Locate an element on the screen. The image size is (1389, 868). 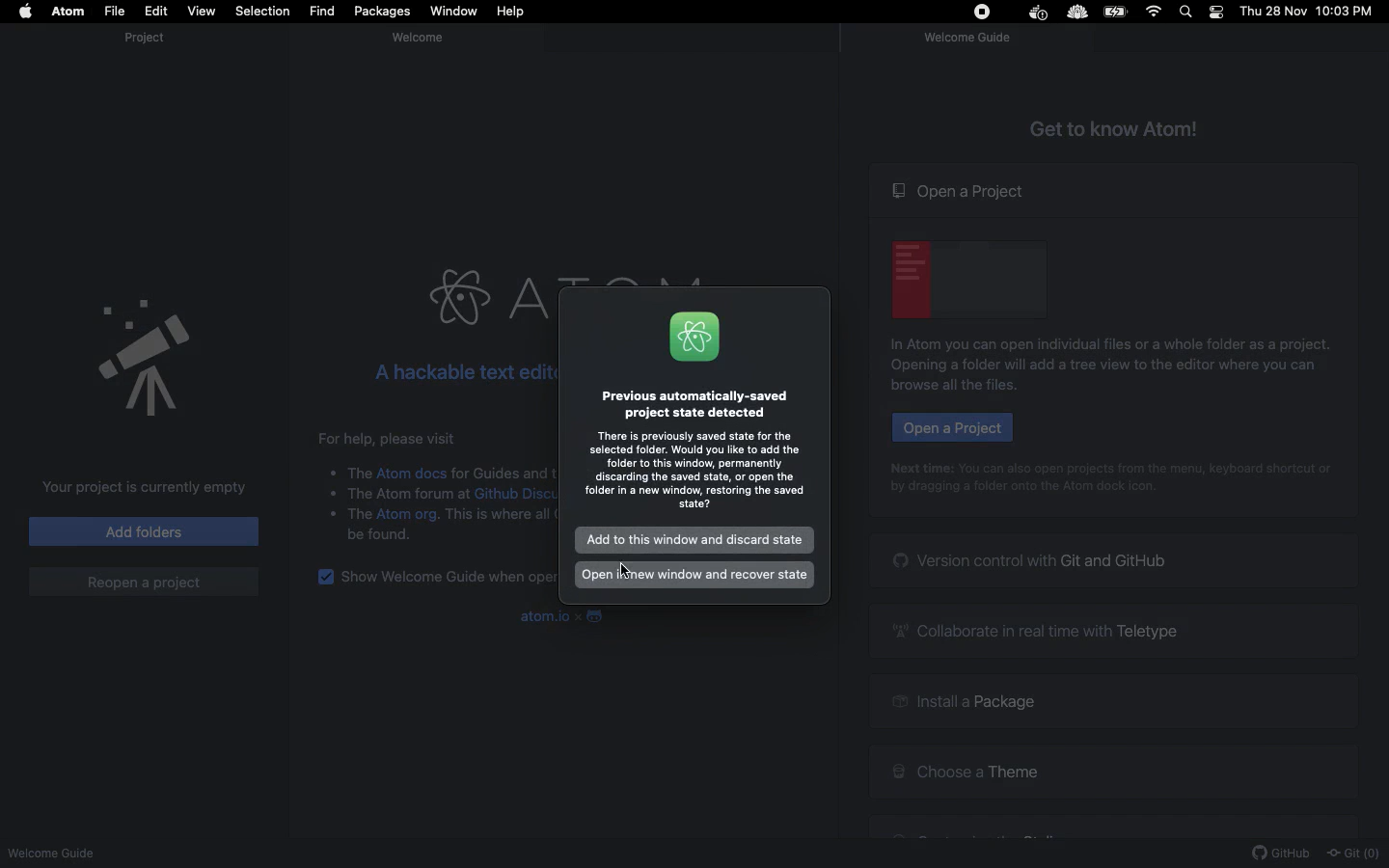
File is located at coordinates (114, 12).